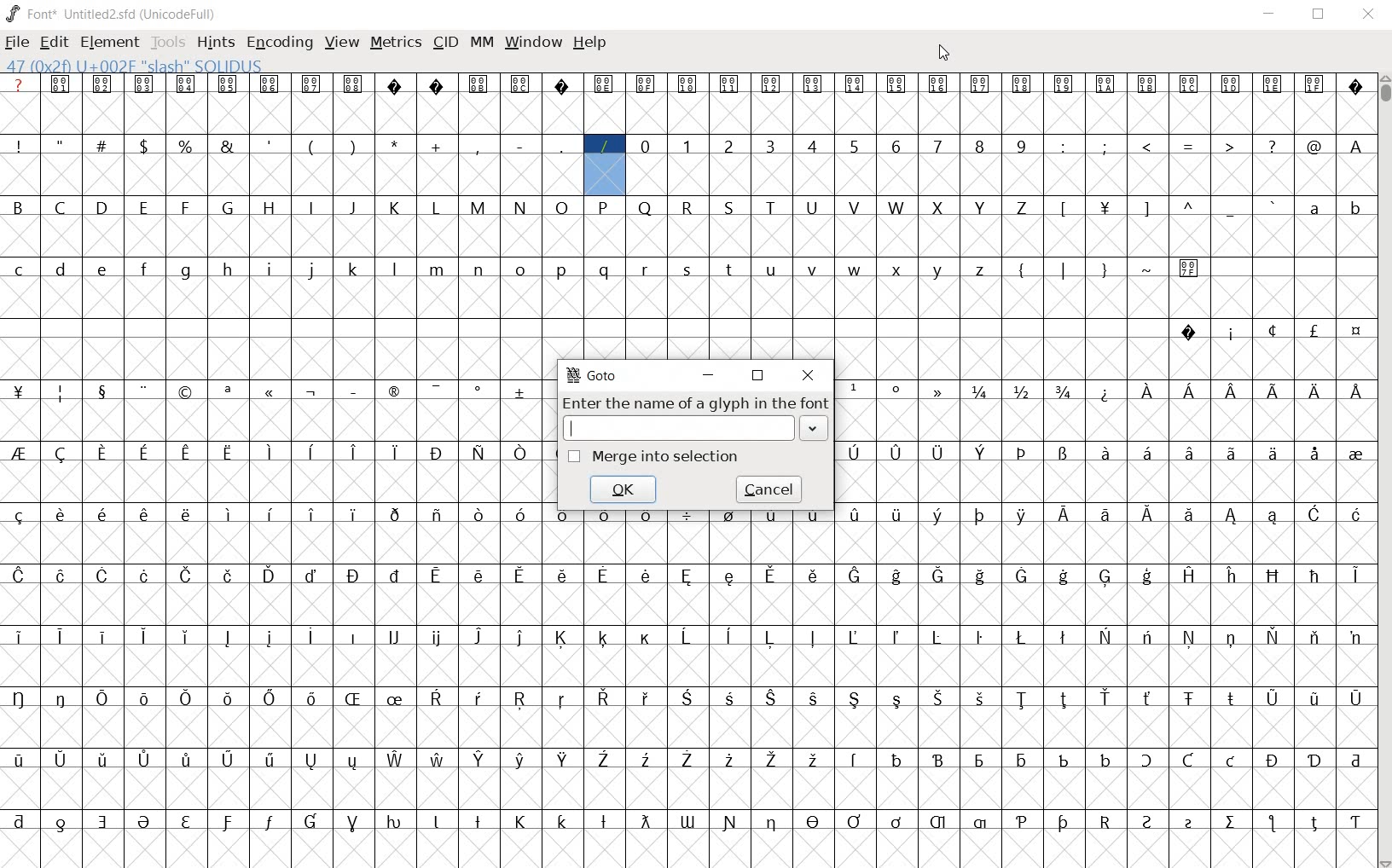  Describe the element at coordinates (730, 823) in the screenshot. I see `glyph` at that location.